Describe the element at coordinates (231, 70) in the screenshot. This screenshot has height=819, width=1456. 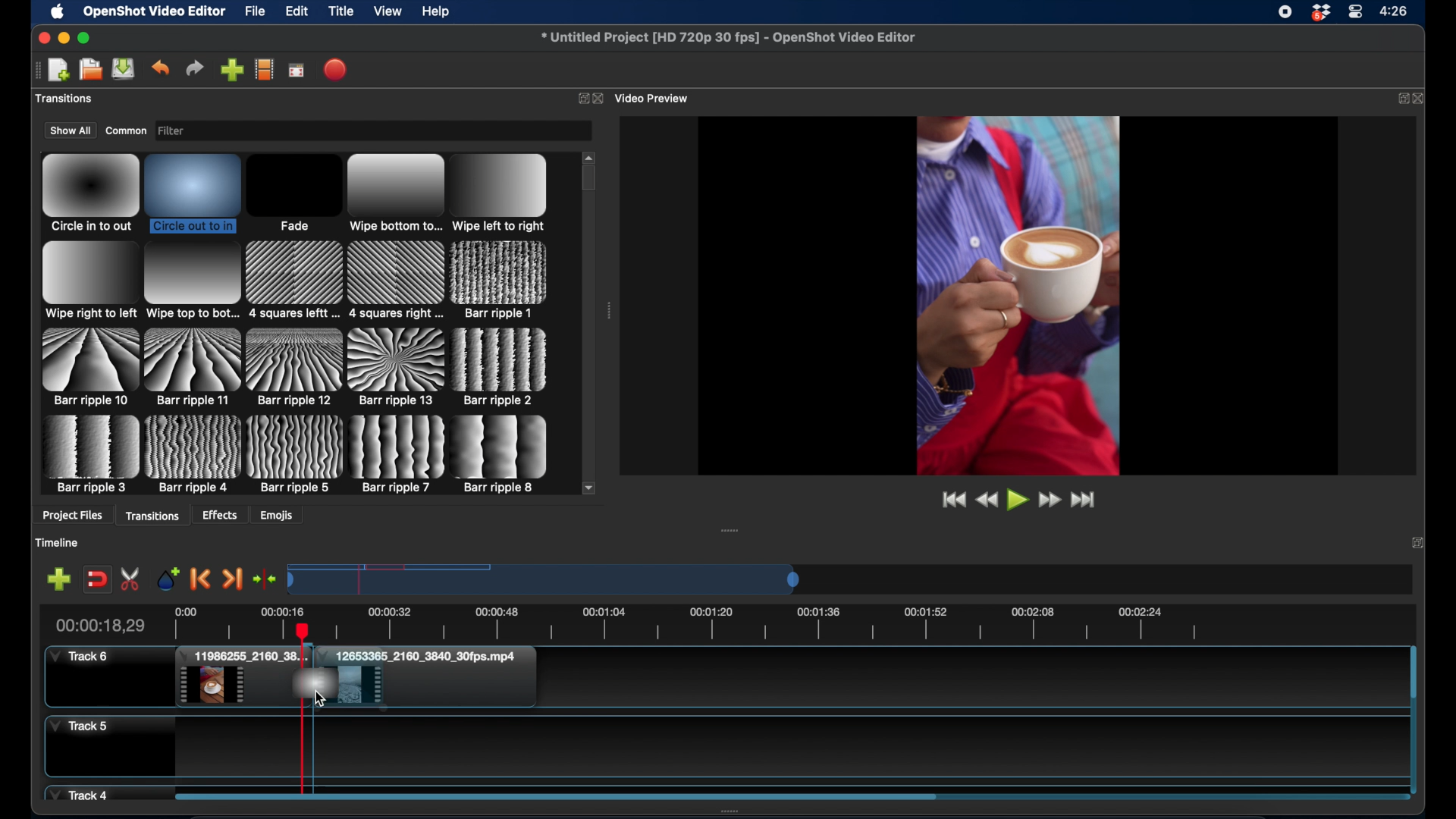
I see `import files` at that location.